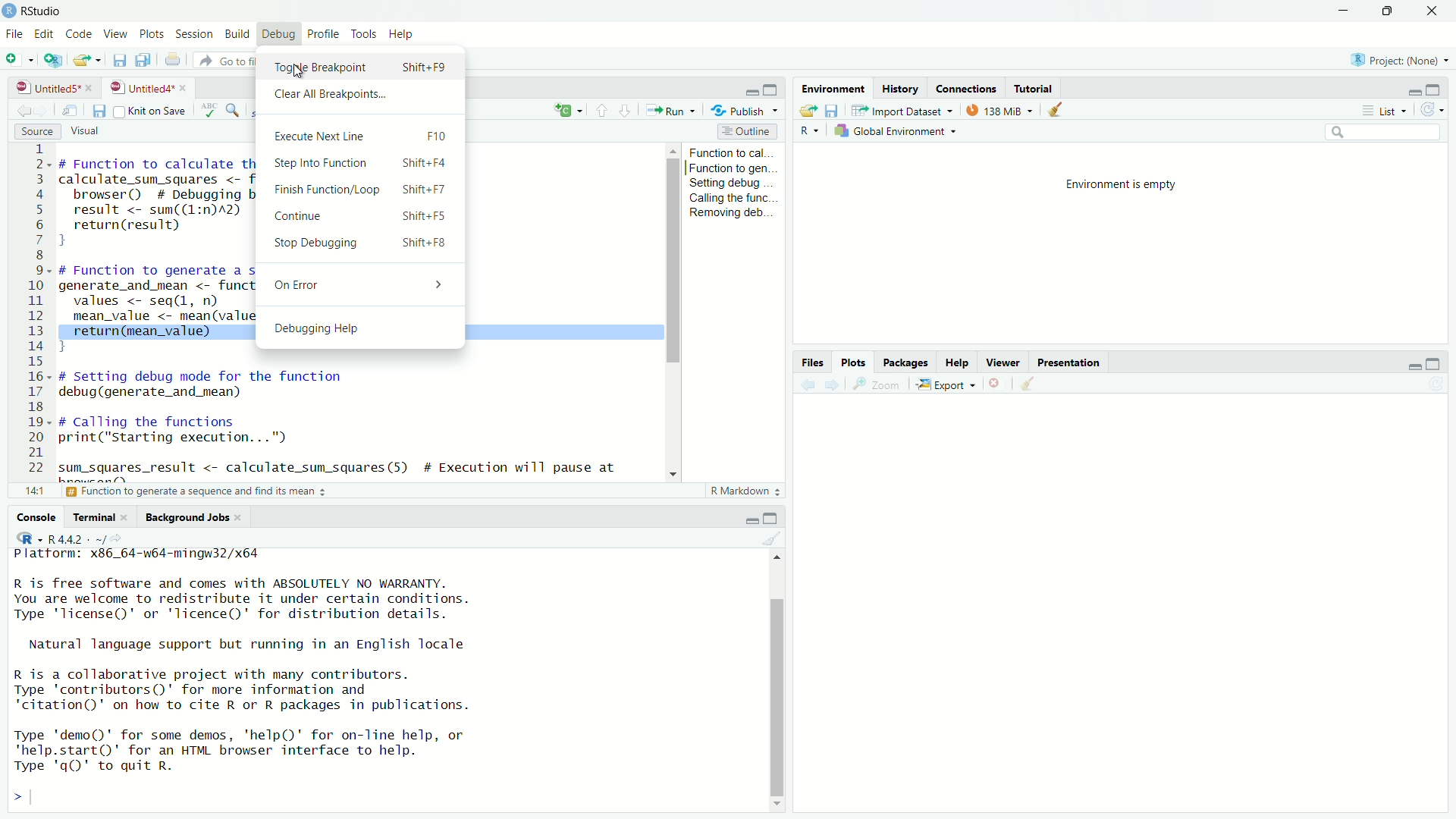  I want to click on go to next section/chunk, so click(623, 111).